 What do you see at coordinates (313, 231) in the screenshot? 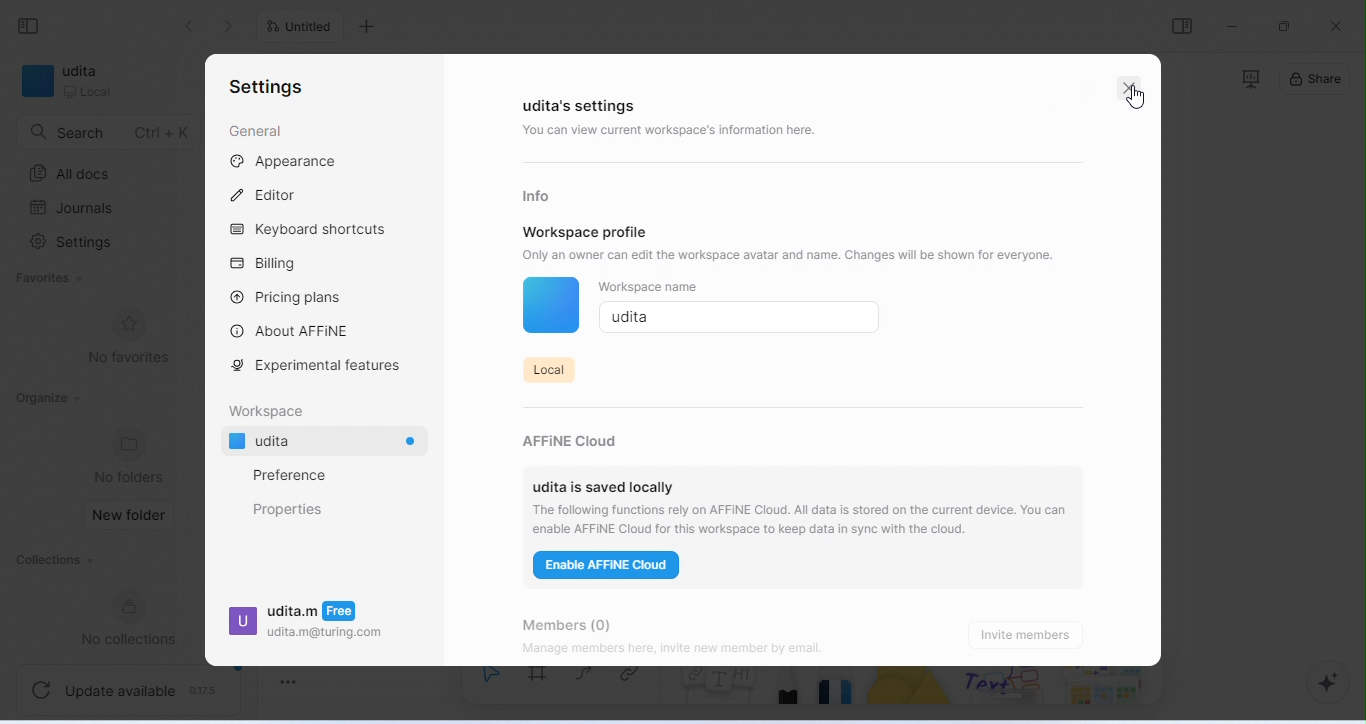
I see `keyboard shortcuts` at bounding box center [313, 231].